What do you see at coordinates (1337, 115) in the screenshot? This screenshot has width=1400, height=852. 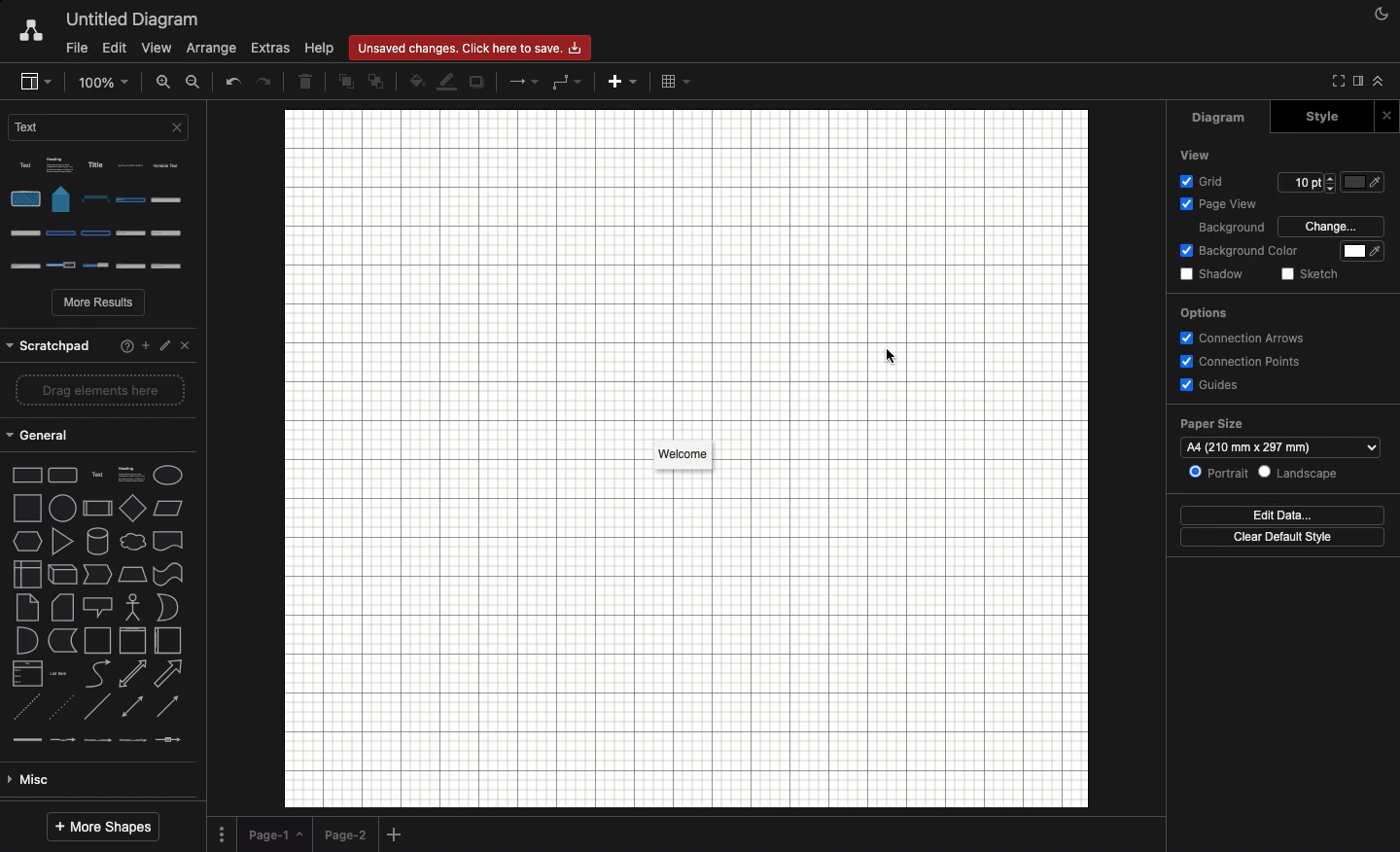 I see `Style` at bounding box center [1337, 115].